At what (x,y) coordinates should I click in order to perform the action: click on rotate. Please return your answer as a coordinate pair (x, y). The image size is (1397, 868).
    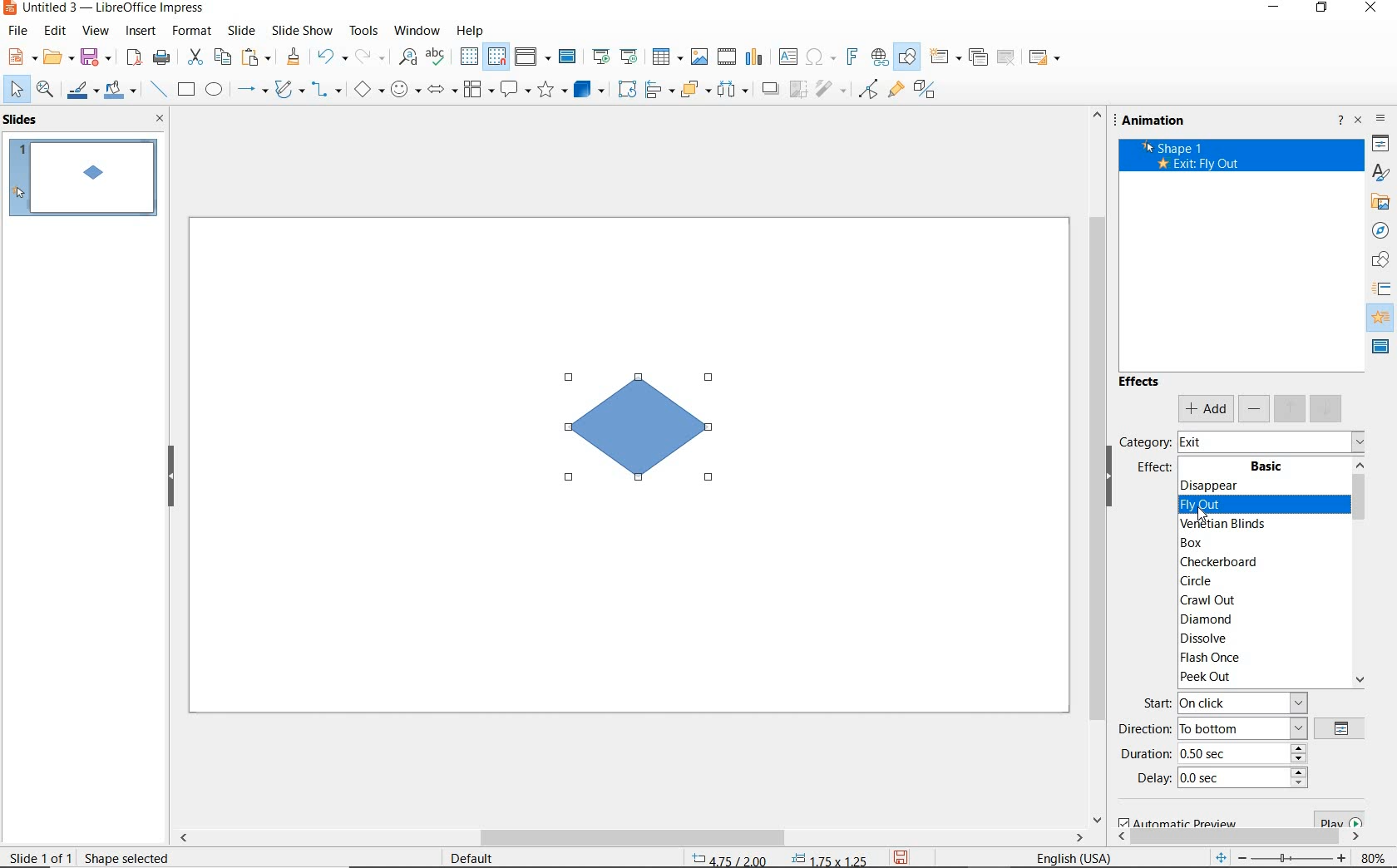
    Looking at the image, I should click on (627, 91).